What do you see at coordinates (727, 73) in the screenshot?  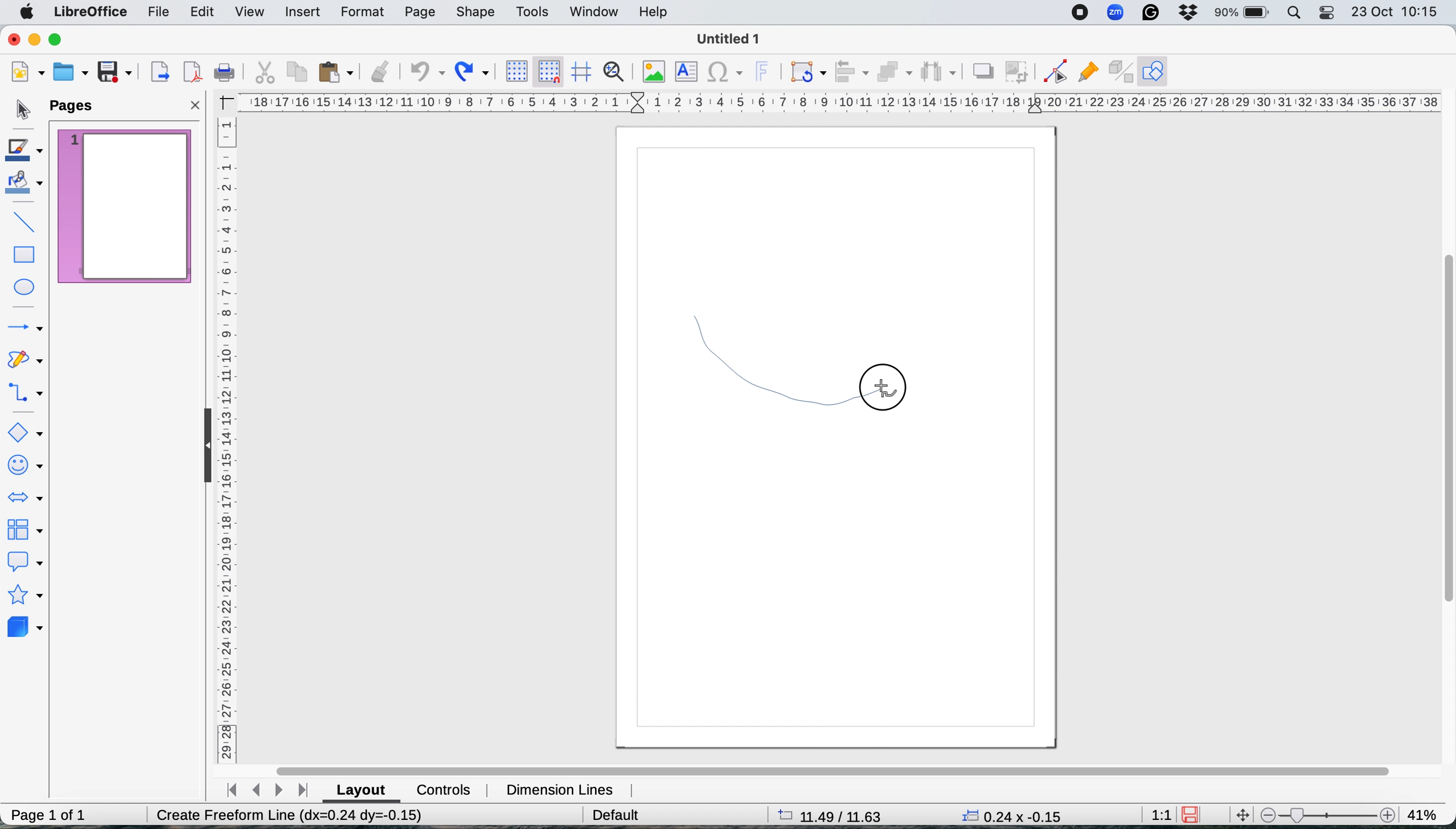 I see `insert special characters` at bounding box center [727, 73].